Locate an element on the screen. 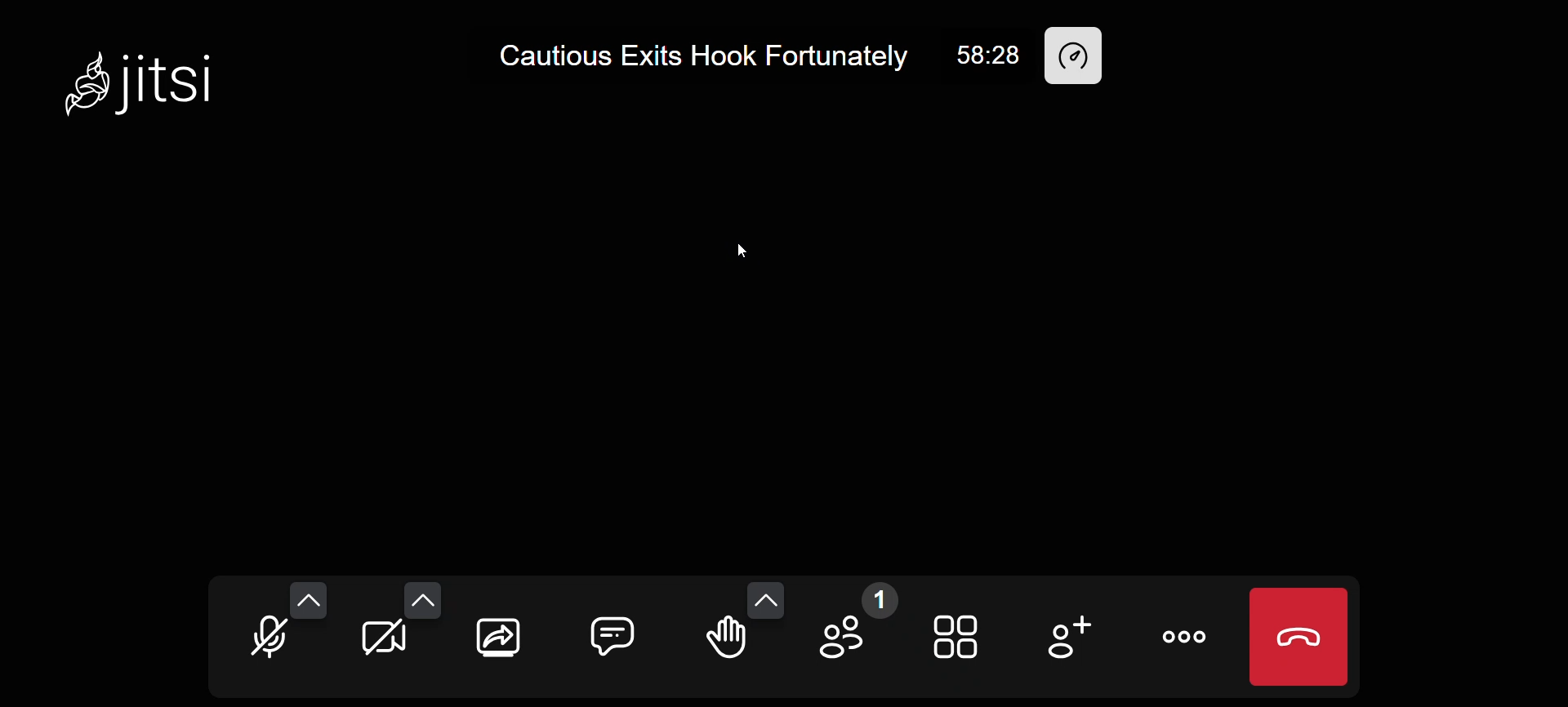  tile view is located at coordinates (961, 635).